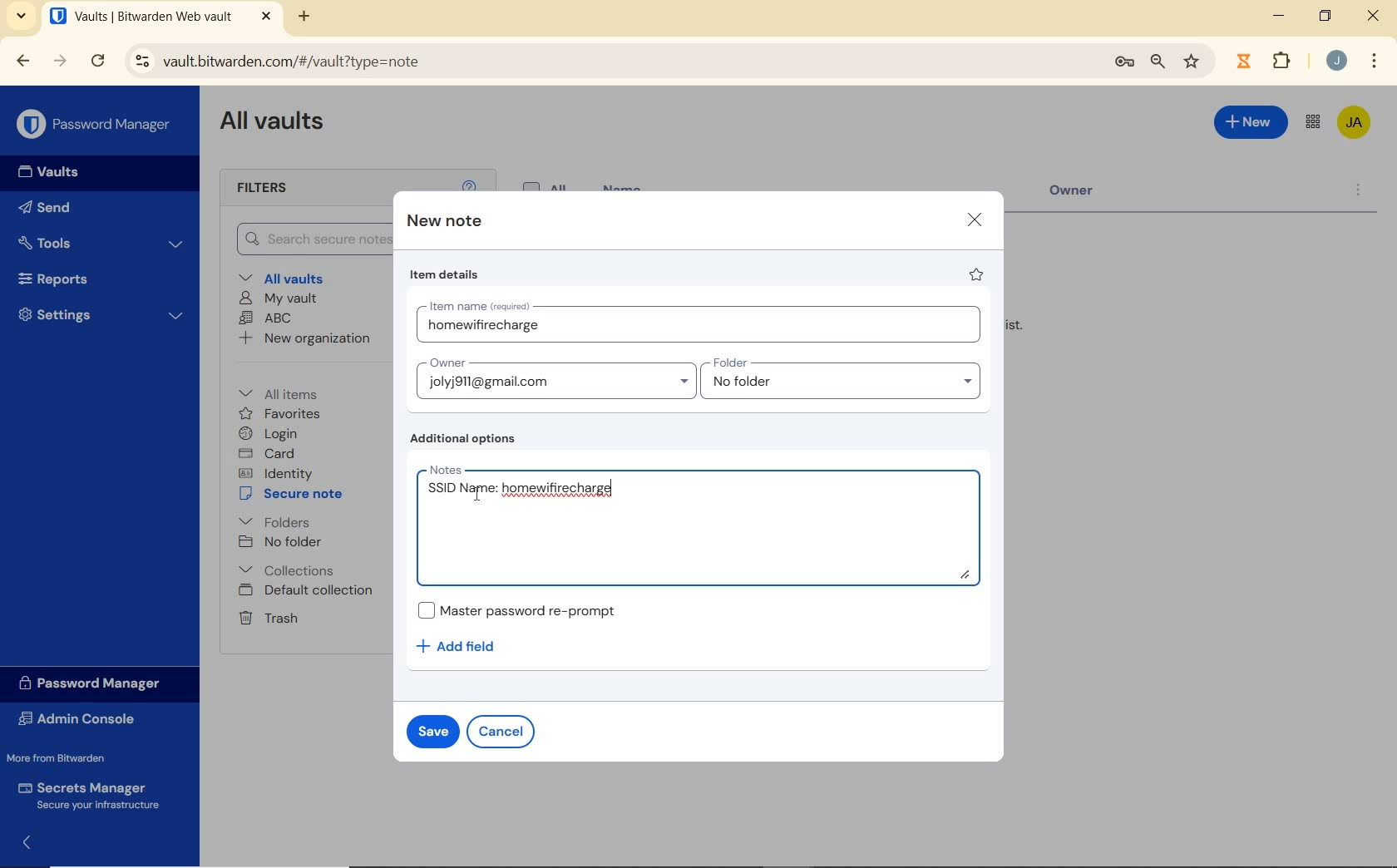  What do you see at coordinates (290, 392) in the screenshot?
I see `All items` at bounding box center [290, 392].